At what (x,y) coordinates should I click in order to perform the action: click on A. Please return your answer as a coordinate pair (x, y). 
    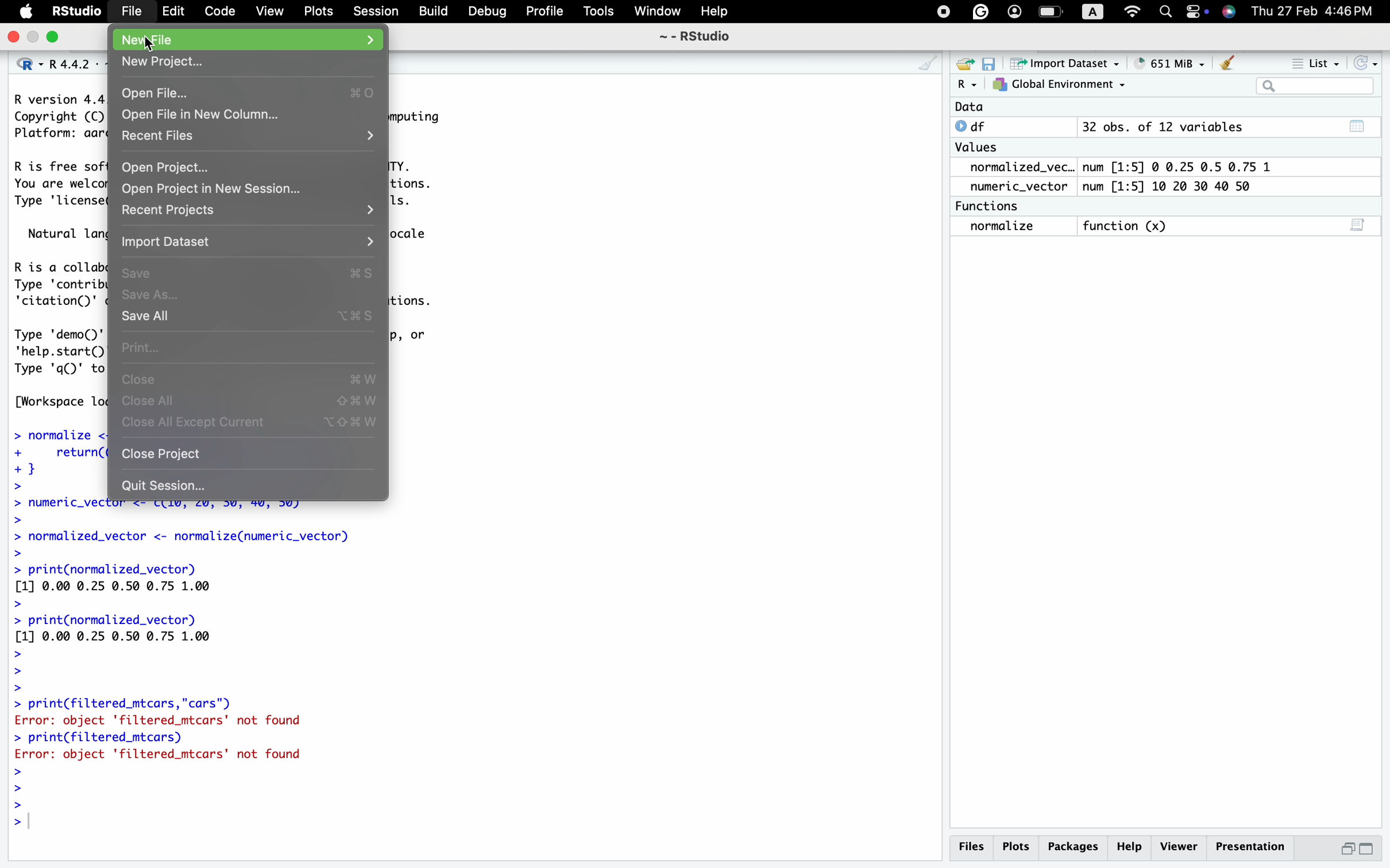
    Looking at the image, I should click on (1092, 10).